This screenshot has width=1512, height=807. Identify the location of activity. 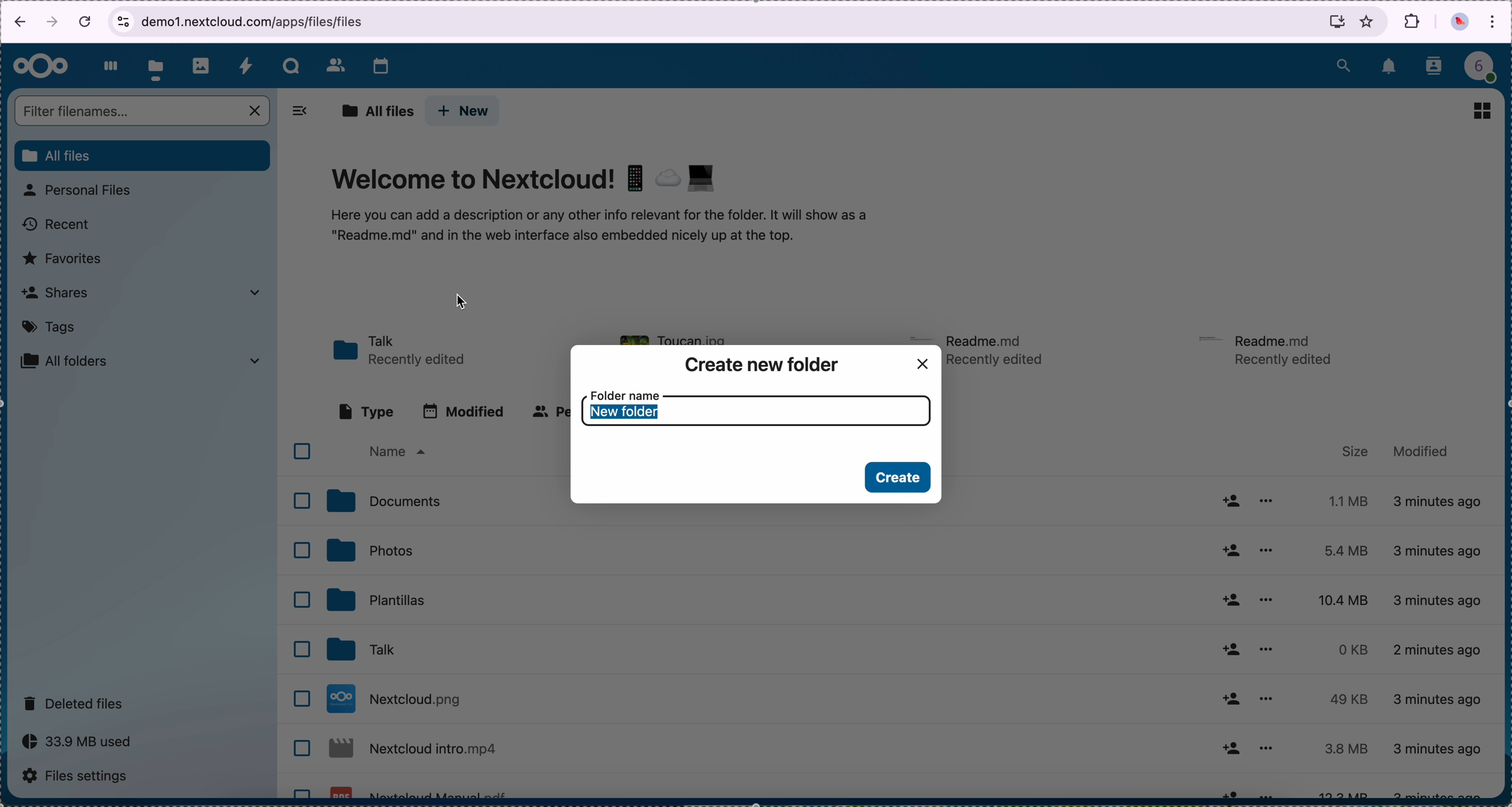
(245, 65).